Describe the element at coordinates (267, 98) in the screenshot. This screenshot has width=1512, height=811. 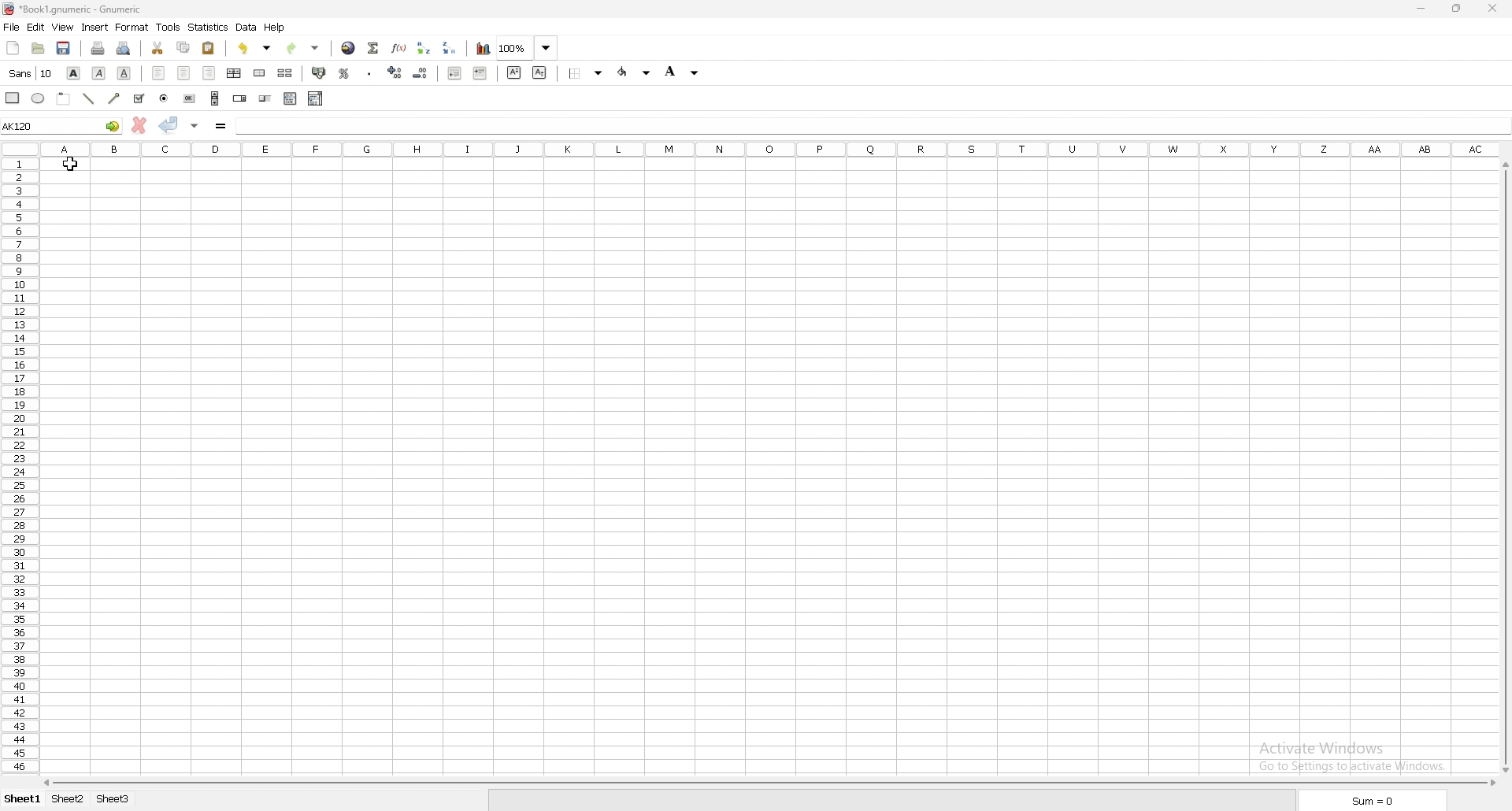
I see `slider` at that location.